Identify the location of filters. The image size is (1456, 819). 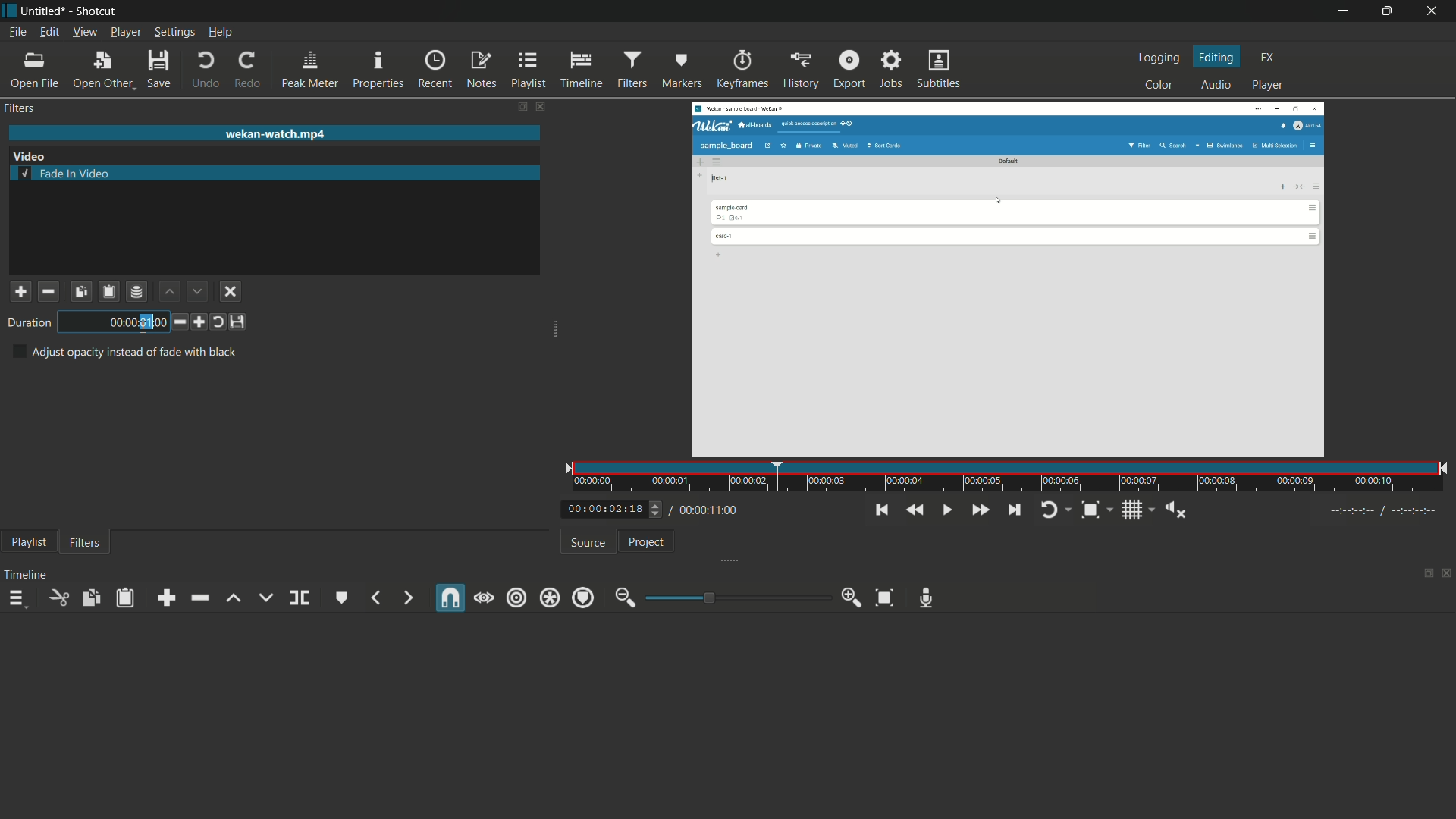
(85, 544).